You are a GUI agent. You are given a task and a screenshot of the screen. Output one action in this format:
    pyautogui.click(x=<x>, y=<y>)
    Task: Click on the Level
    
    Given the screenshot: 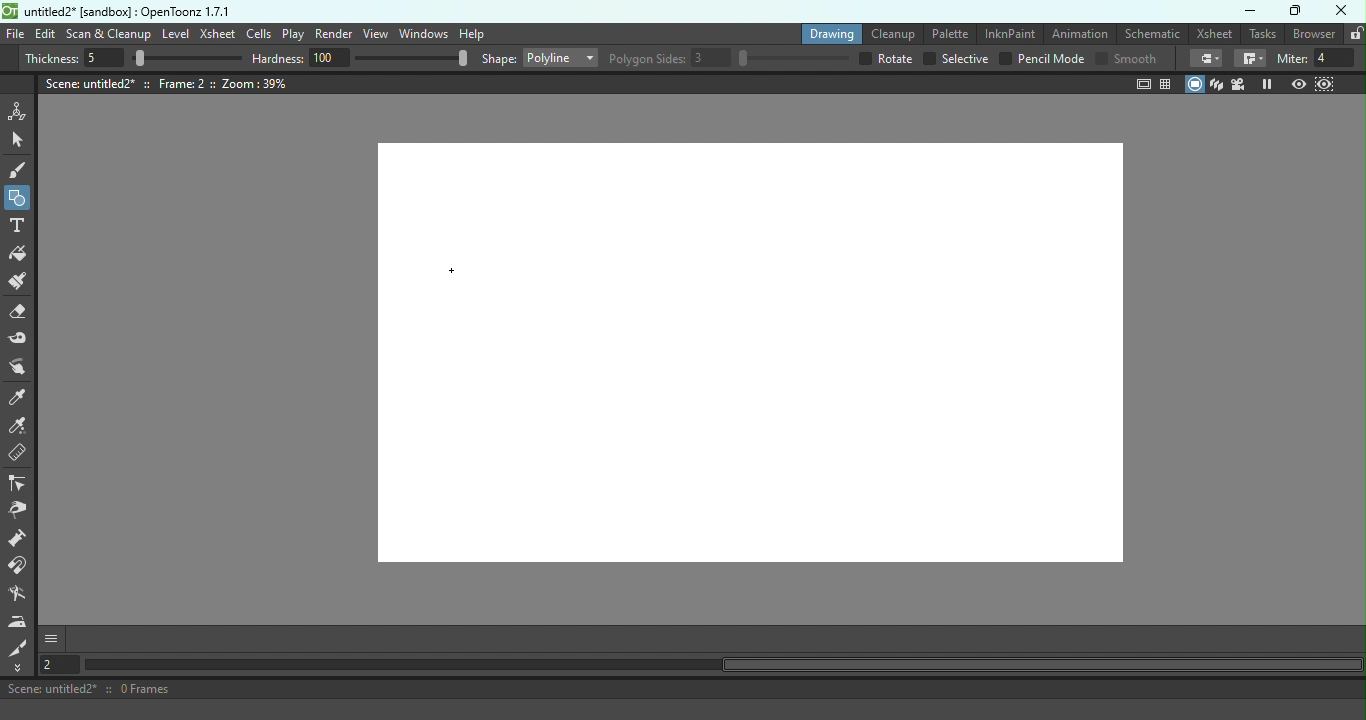 What is the action you would take?
    pyautogui.click(x=175, y=34)
    